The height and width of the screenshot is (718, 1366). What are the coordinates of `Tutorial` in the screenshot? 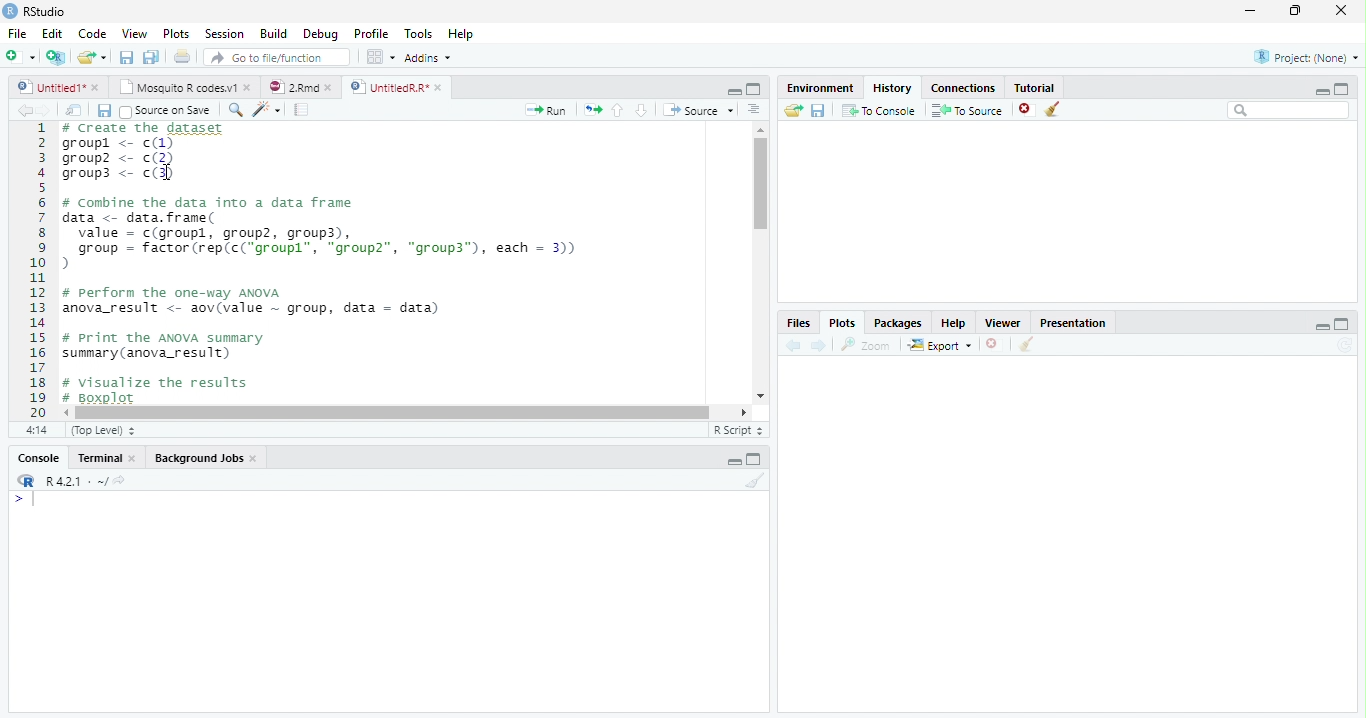 It's located at (1036, 86).